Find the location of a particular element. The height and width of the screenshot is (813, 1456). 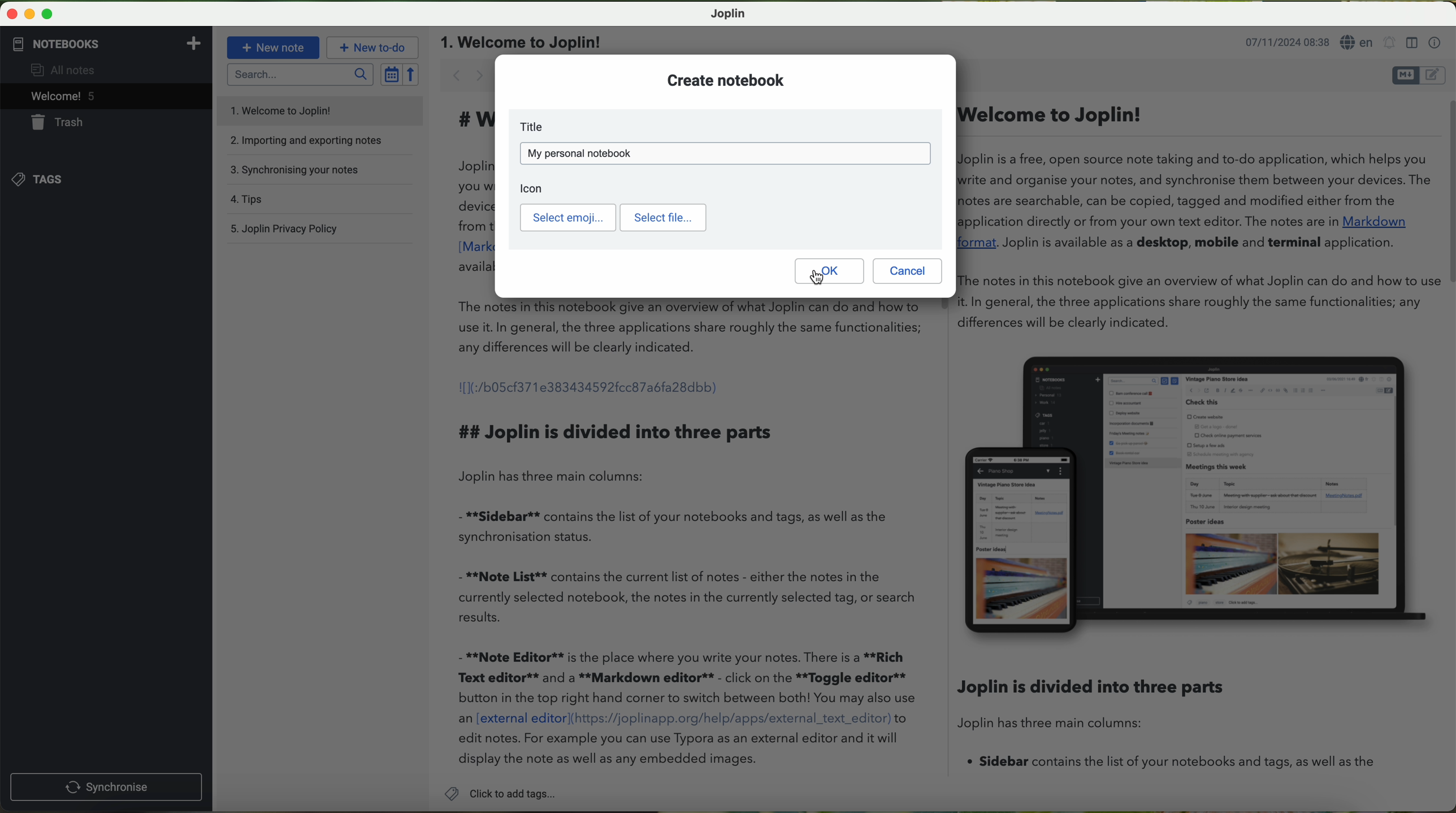

cursor is located at coordinates (817, 277).